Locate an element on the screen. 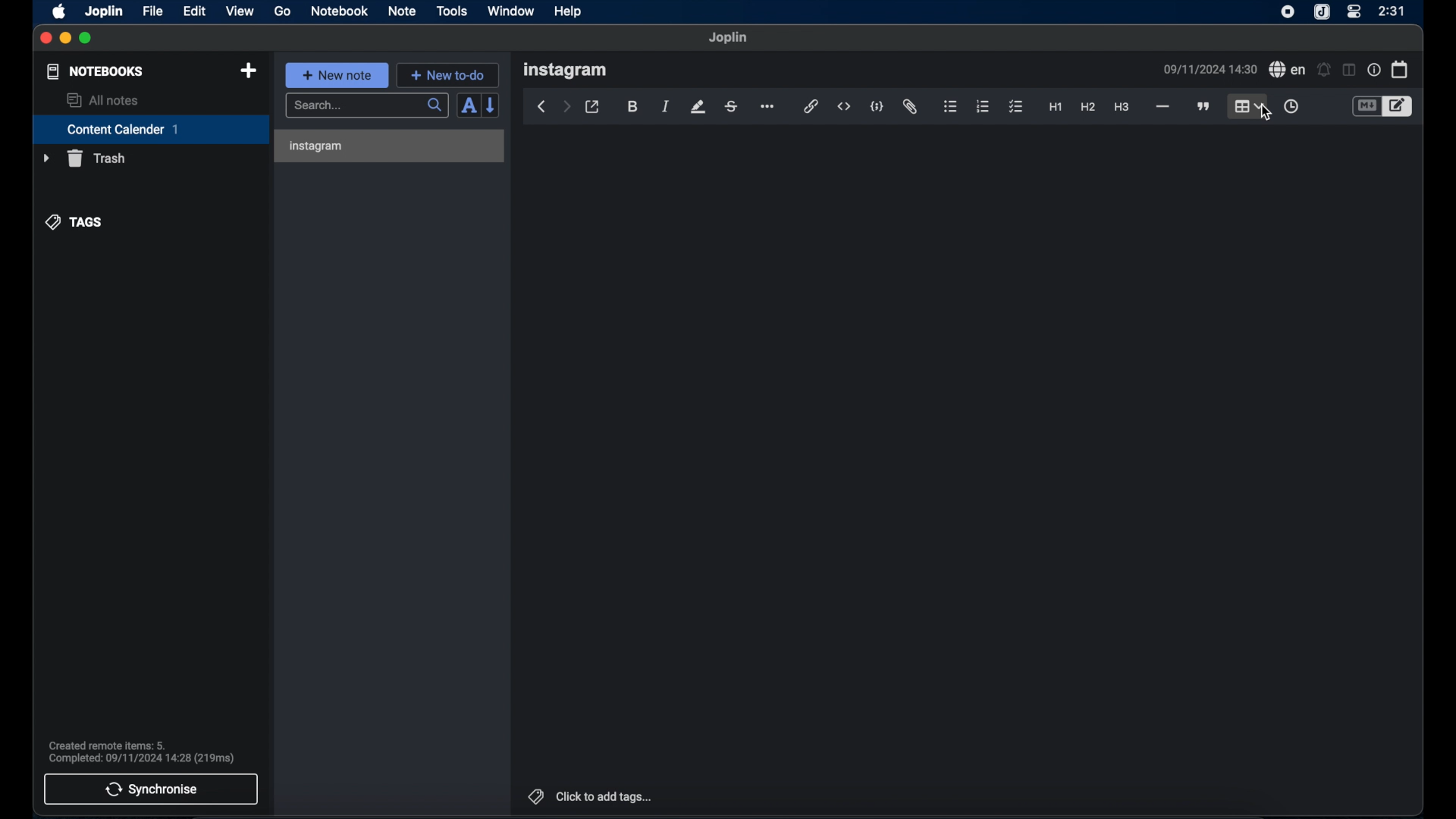 The height and width of the screenshot is (819, 1456). new to-do is located at coordinates (447, 75).